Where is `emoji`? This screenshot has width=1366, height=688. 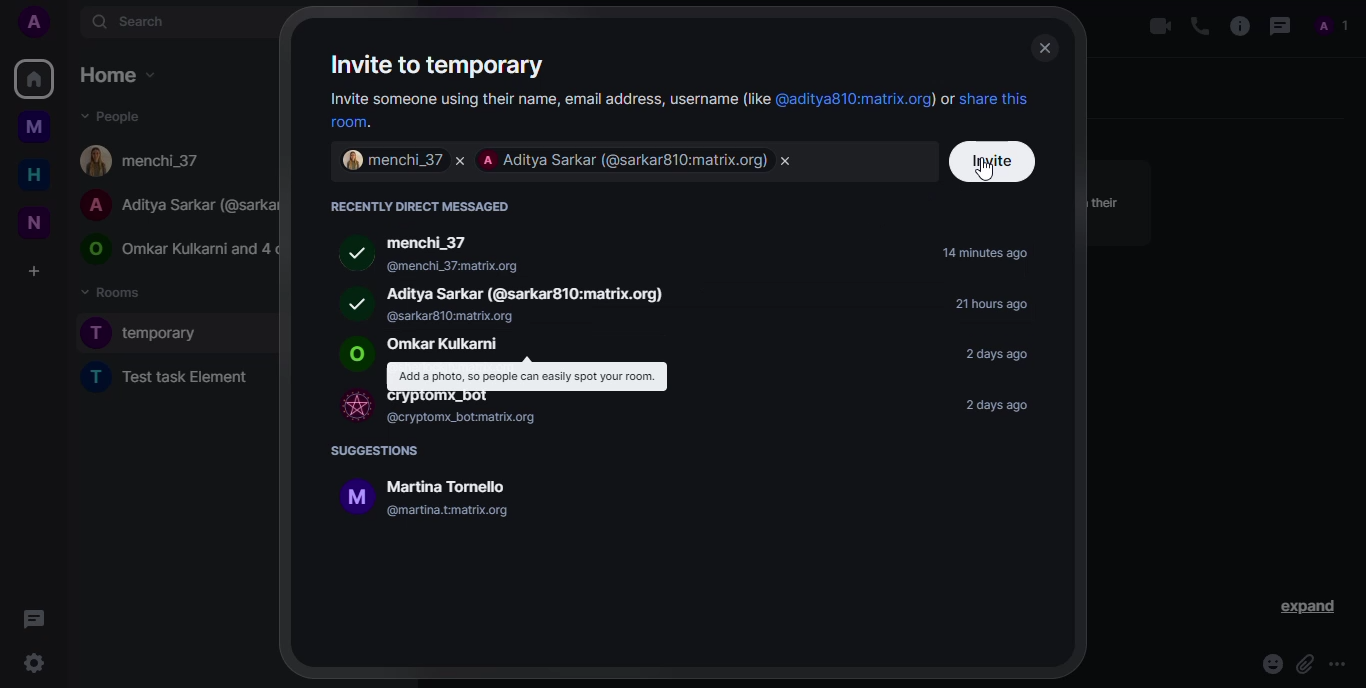
emoji is located at coordinates (1268, 664).